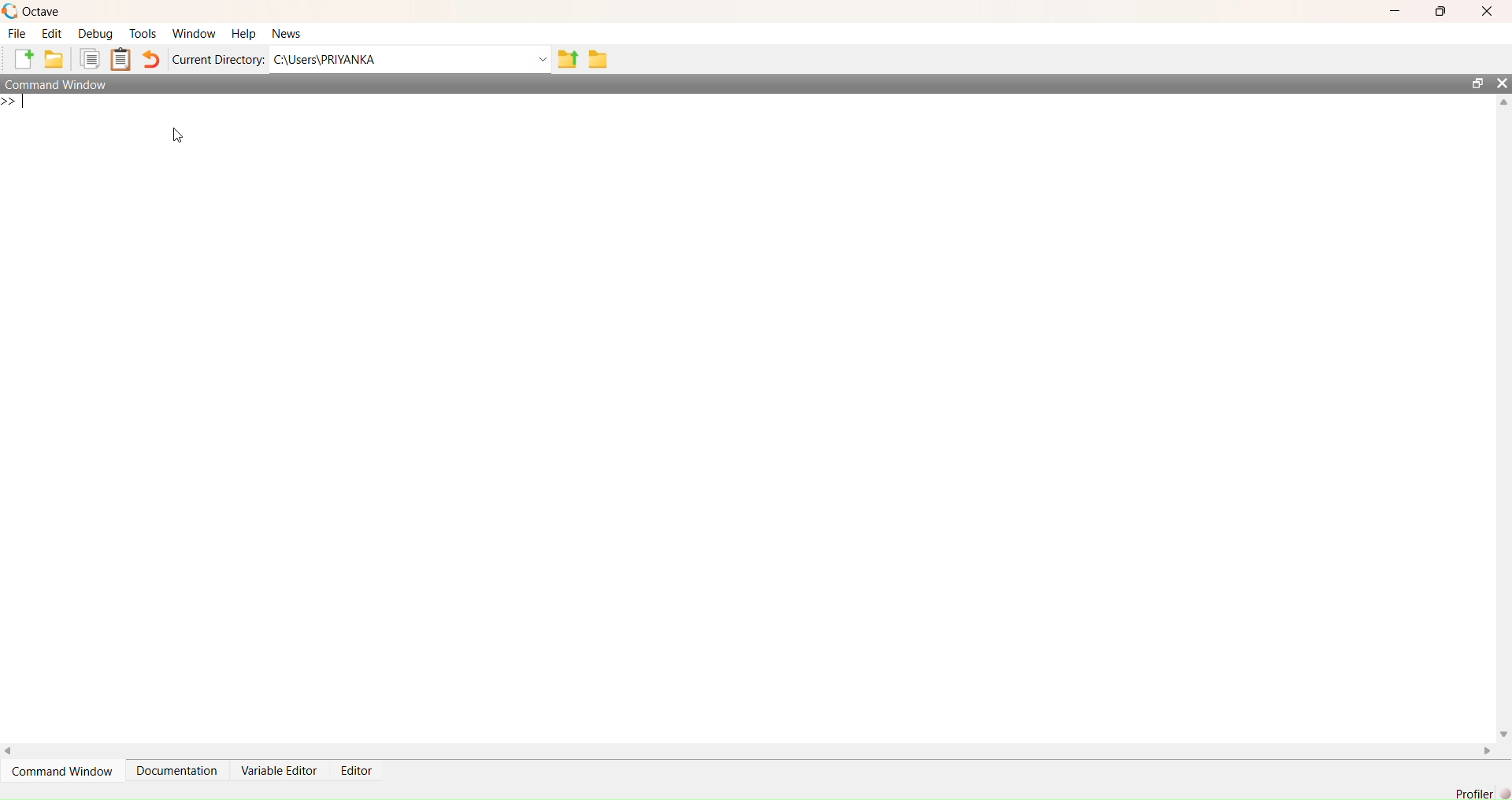 This screenshot has height=800, width=1512. What do you see at coordinates (35, 9) in the screenshot?
I see `Octave` at bounding box center [35, 9].